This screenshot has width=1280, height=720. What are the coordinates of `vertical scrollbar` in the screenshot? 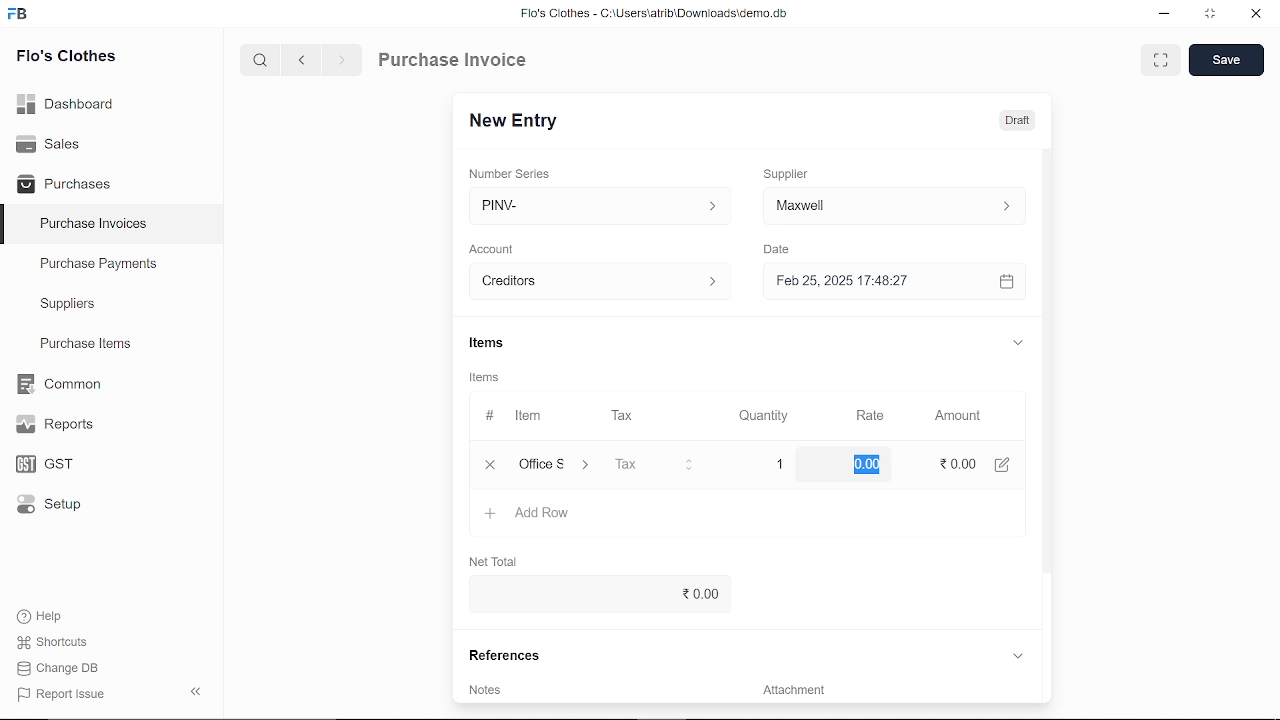 It's located at (1045, 360).